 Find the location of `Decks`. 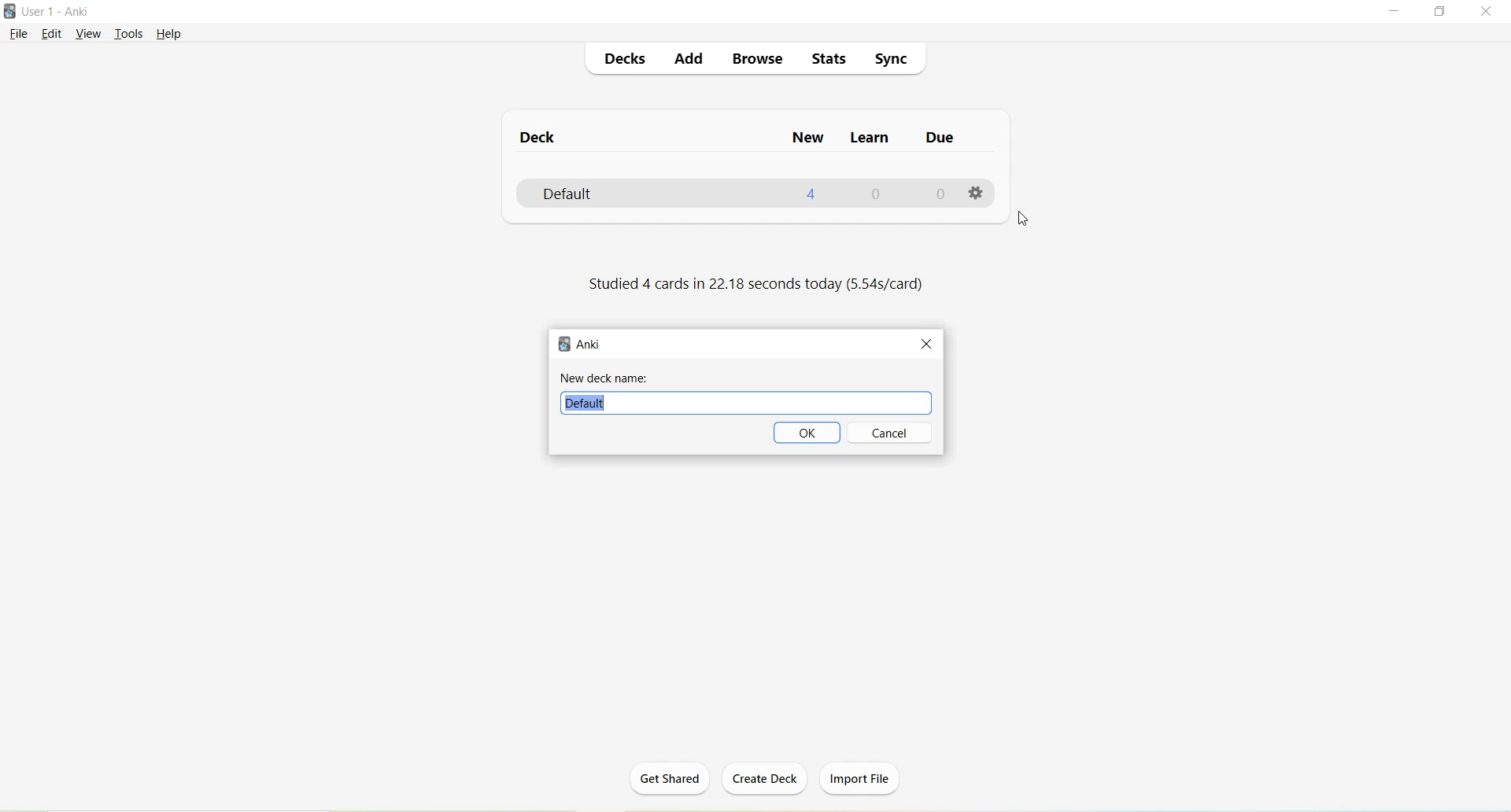

Decks is located at coordinates (624, 60).